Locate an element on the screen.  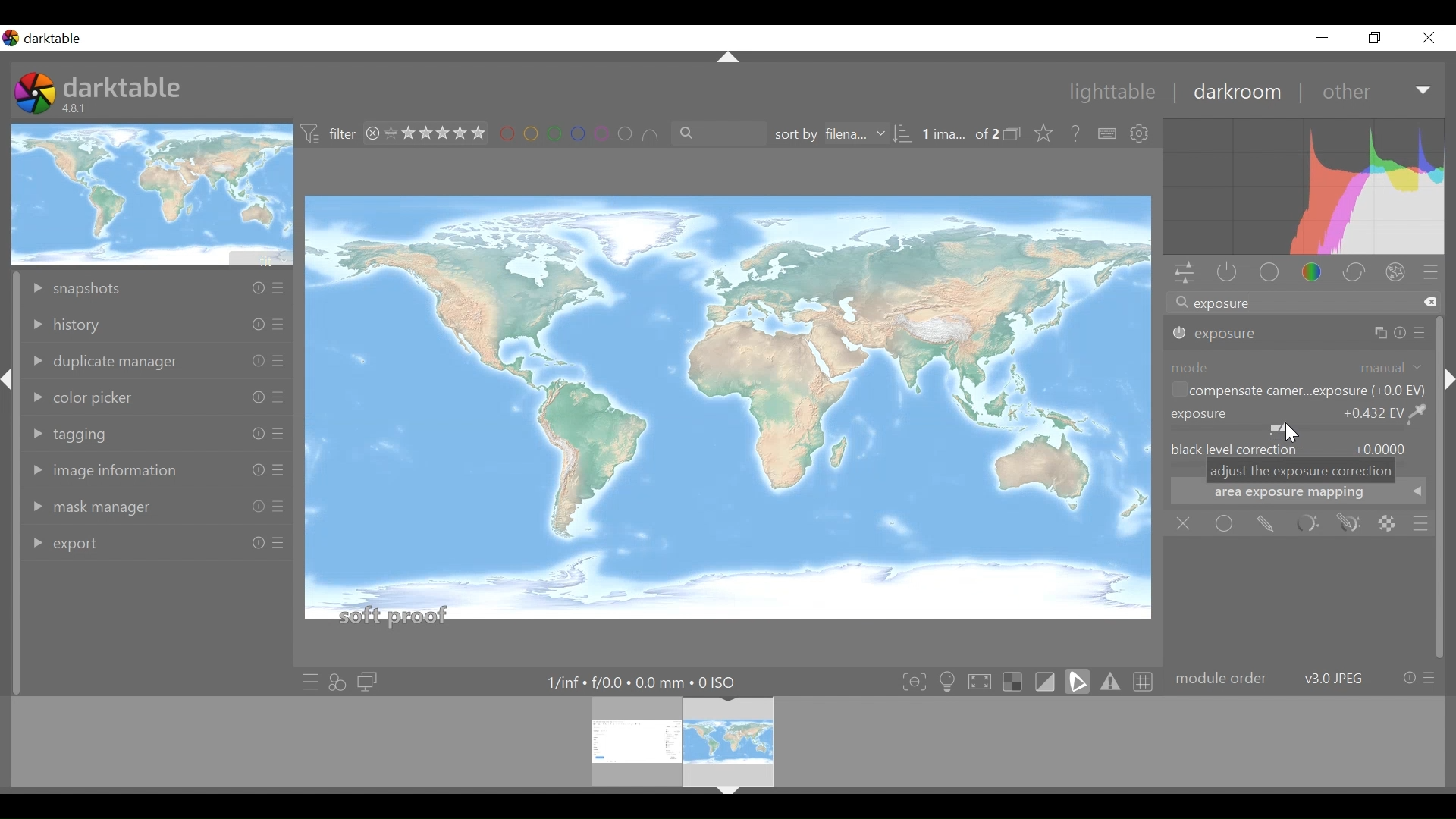
 is located at coordinates (249, 325).